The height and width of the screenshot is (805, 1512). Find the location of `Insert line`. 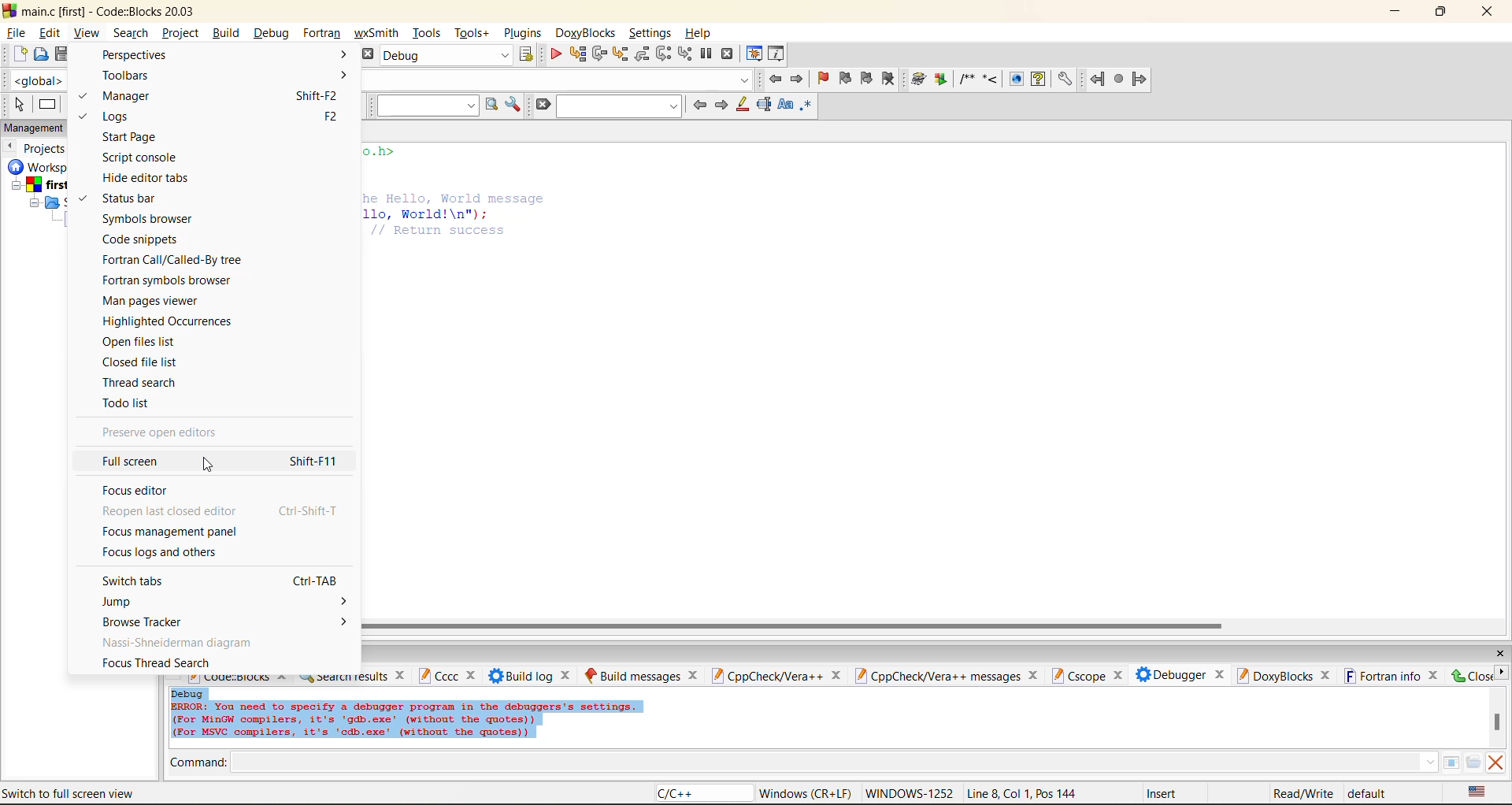

Insert line is located at coordinates (991, 79).